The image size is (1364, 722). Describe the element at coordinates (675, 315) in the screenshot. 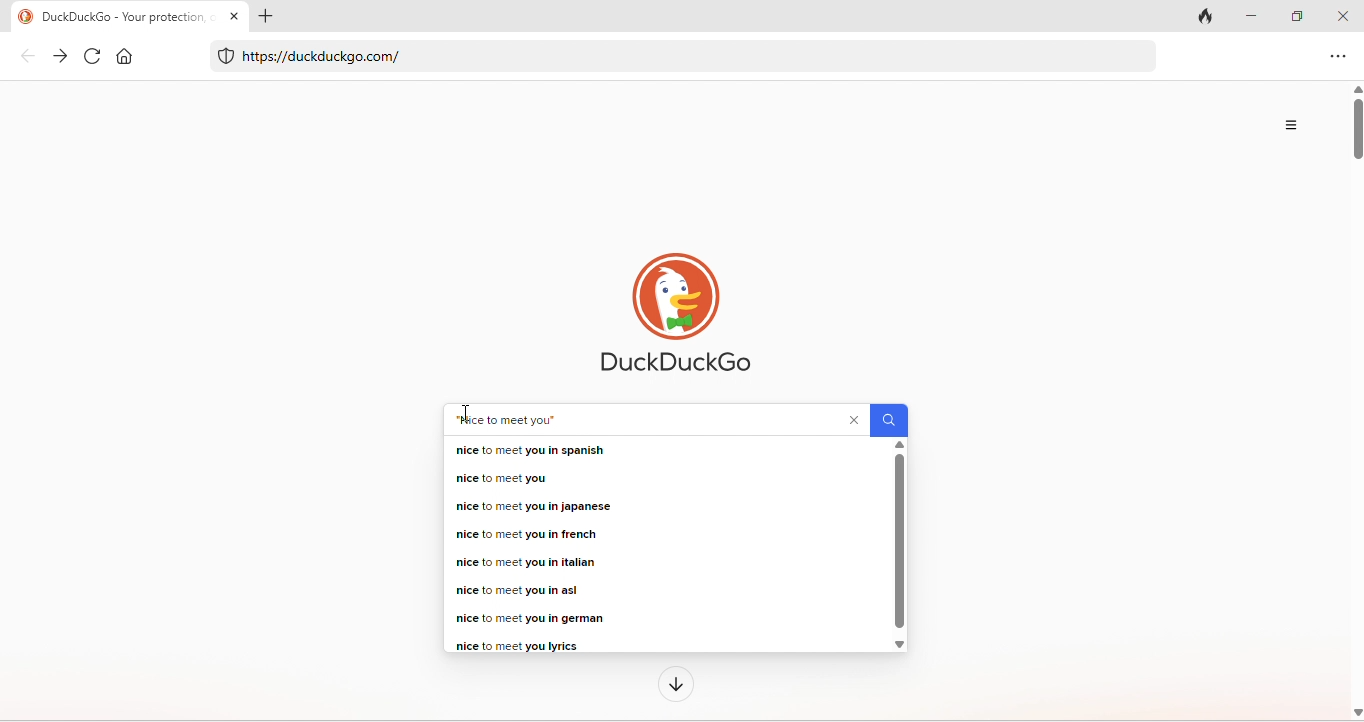

I see `DuckDuckGo` at that location.